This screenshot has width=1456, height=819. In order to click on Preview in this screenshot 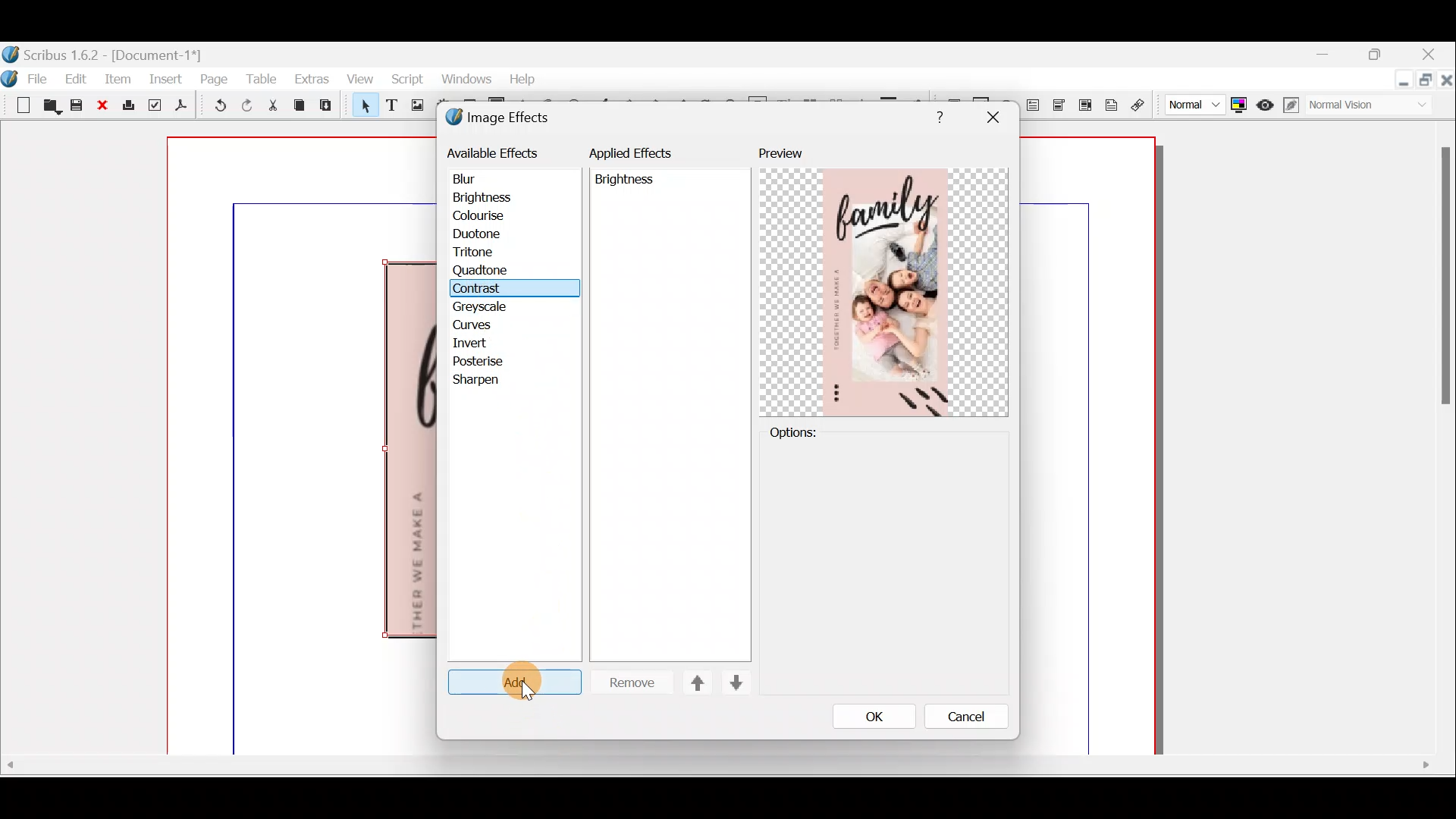, I will do `click(883, 281)`.